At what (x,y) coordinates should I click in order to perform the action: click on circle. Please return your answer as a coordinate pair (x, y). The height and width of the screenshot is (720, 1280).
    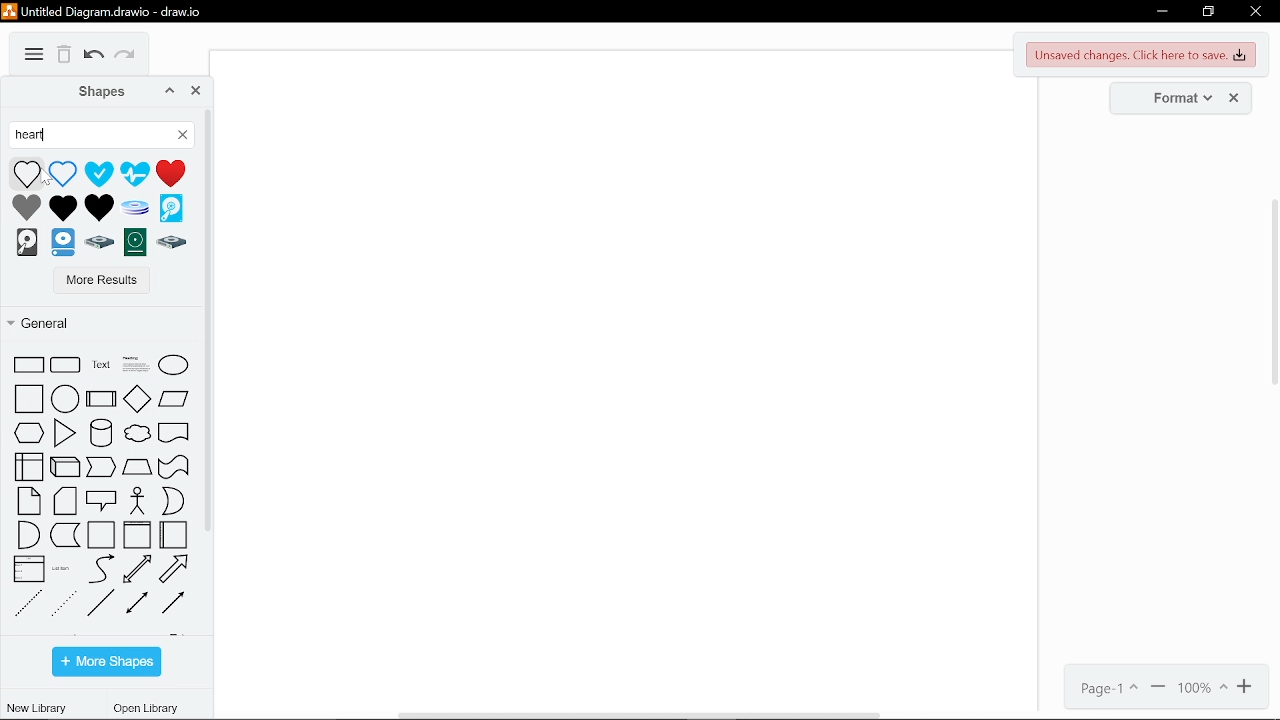
    Looking at the image, I should click on (66, 397).